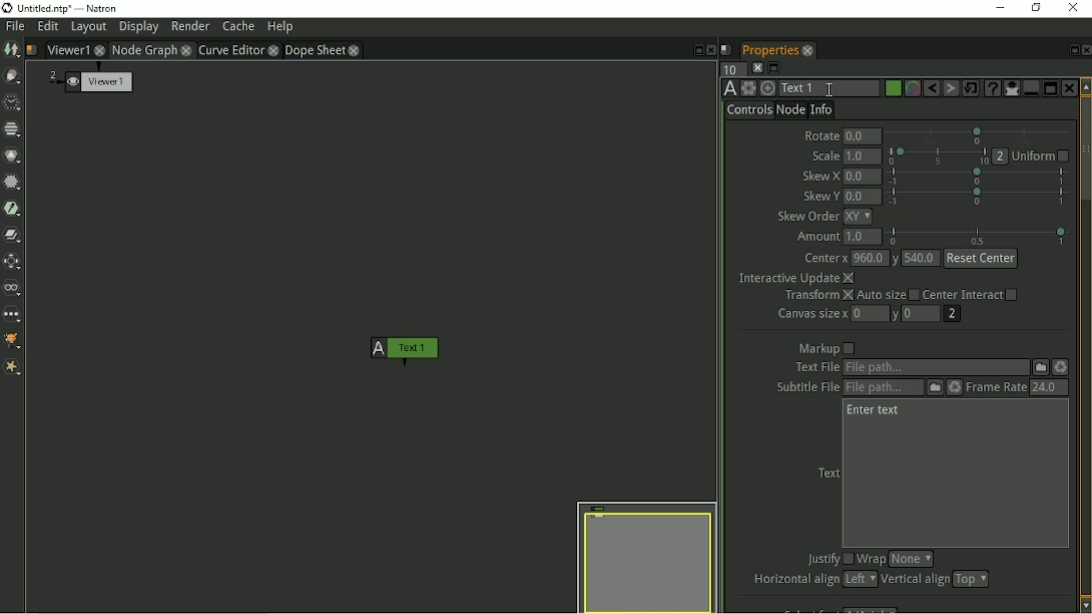  Describe the element at coordinates (975, 134) in the screenshot. I see `selection bar` at that location.